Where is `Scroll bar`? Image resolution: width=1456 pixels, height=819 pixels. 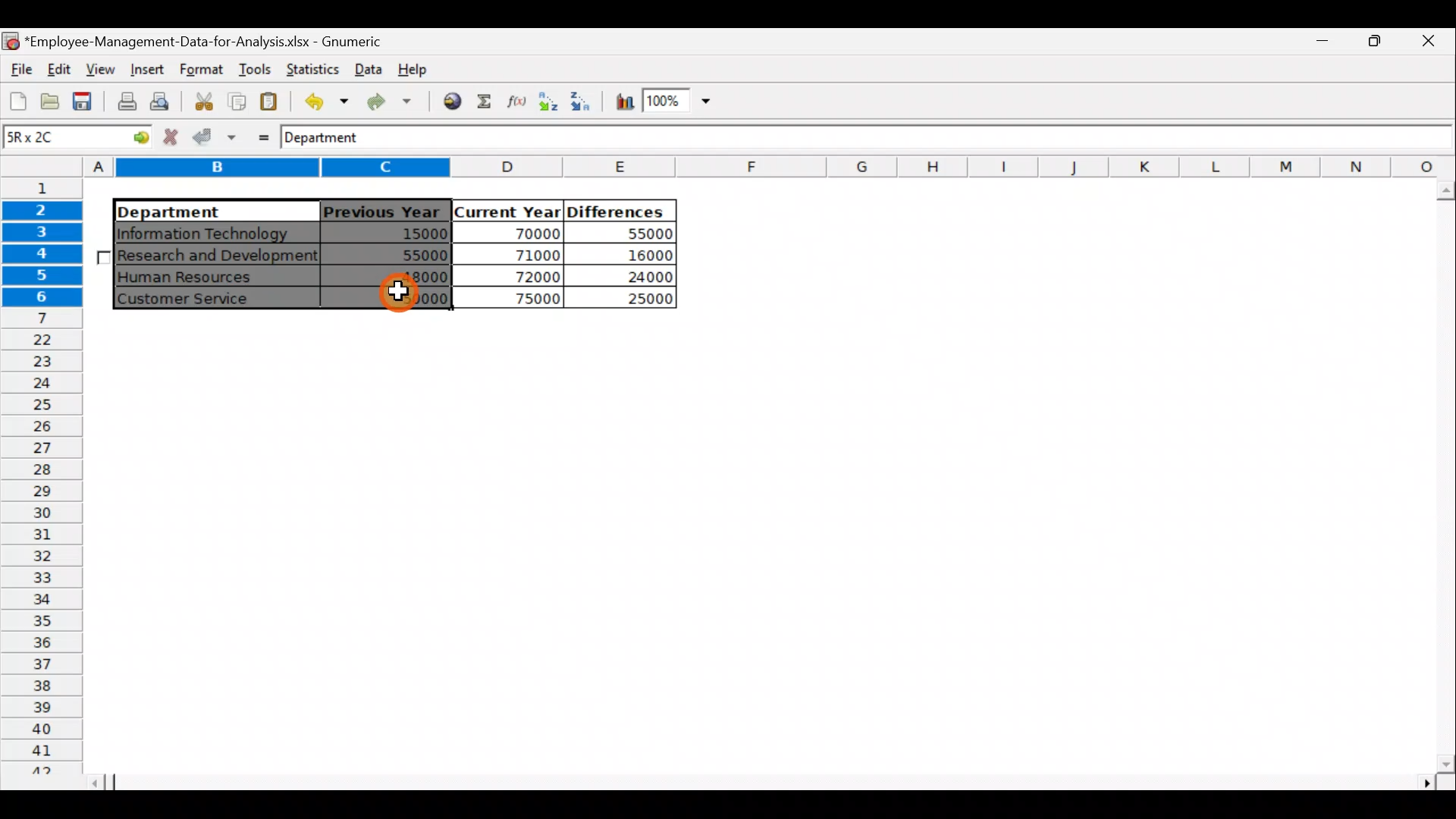 Scroll bar is located at coordinates (773, 781).